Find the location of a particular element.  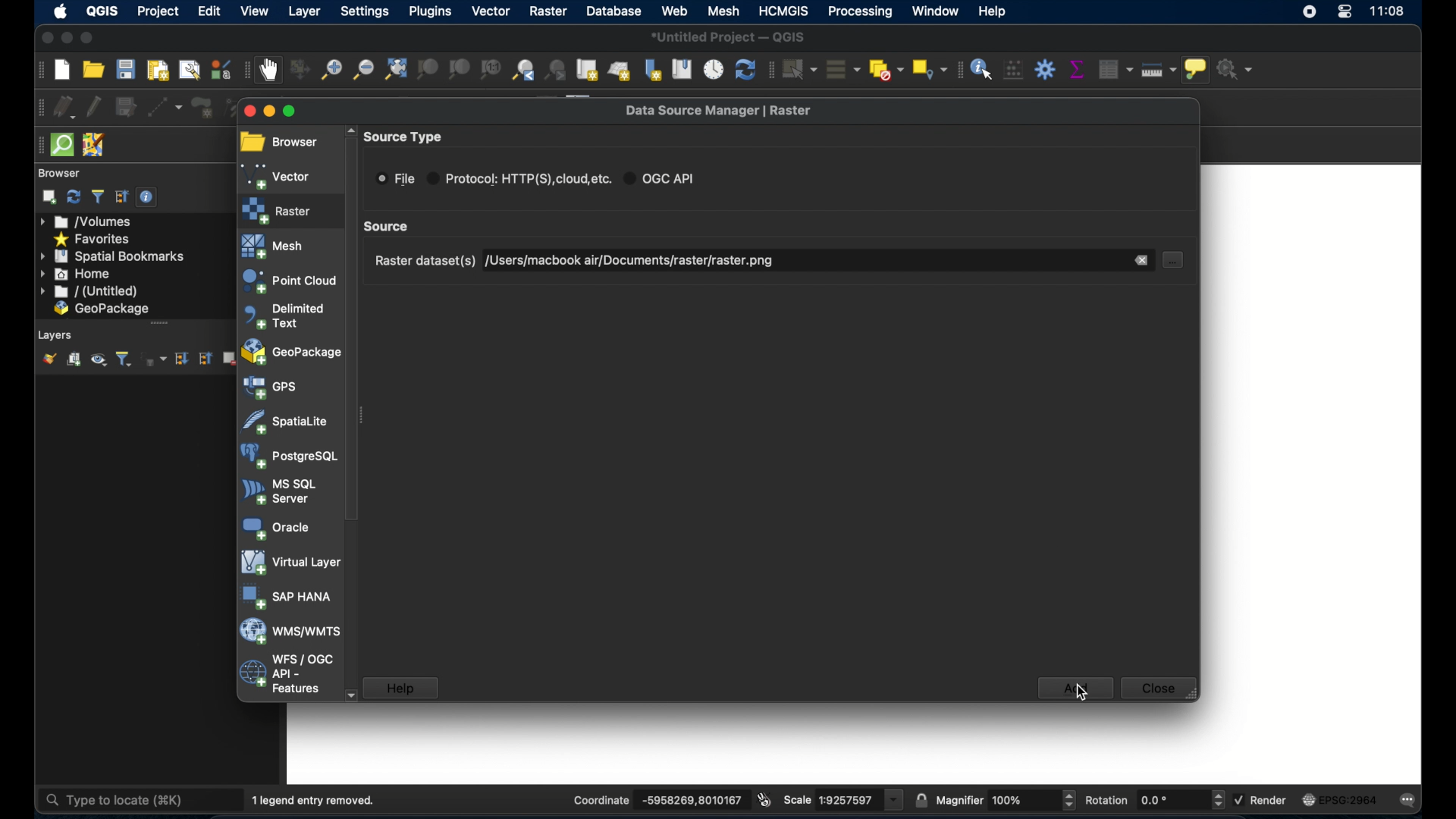

toolbox is located at coordinates (1046, 69).